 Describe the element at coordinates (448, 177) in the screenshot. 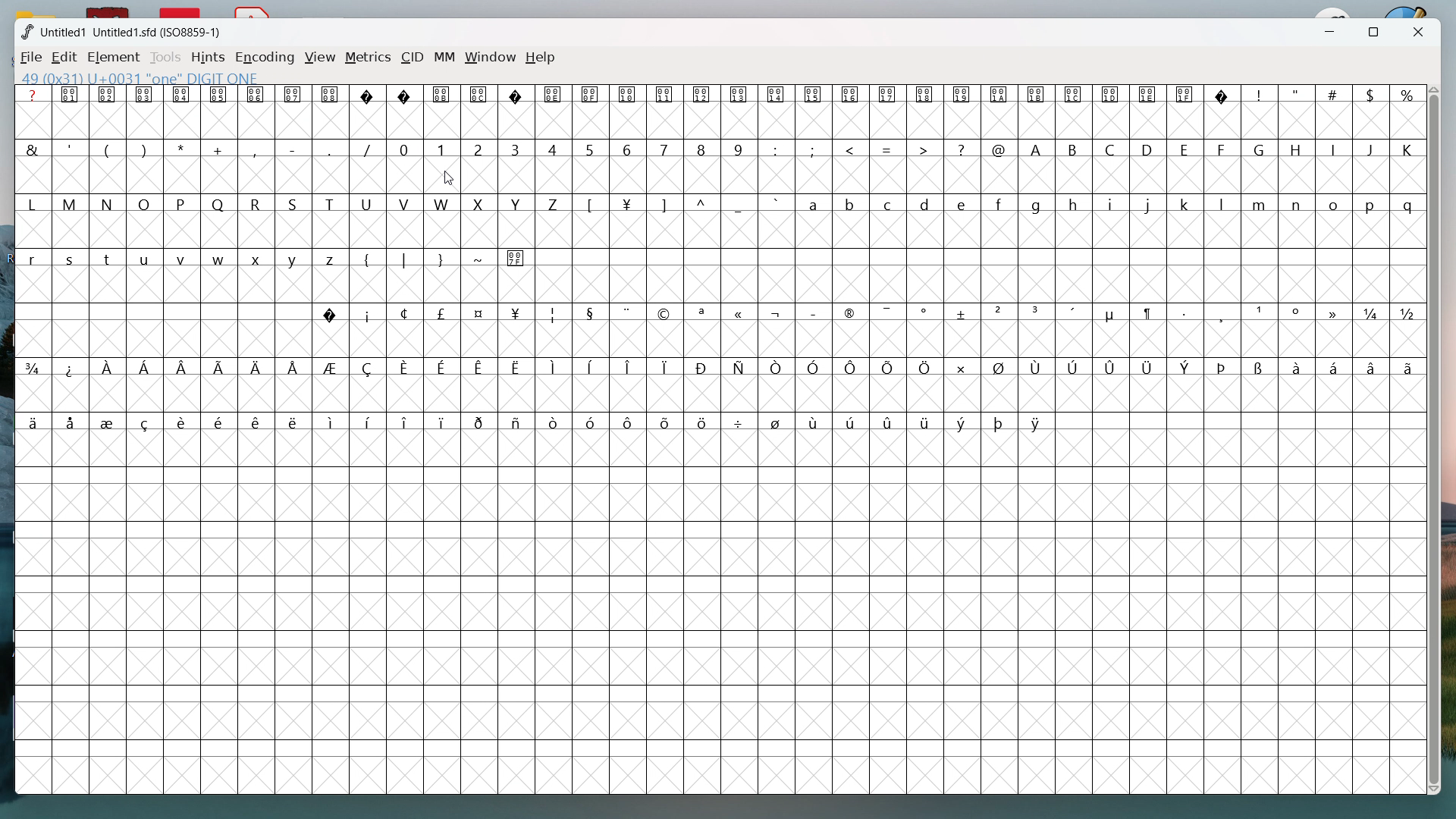

I see `cursor` at that location.